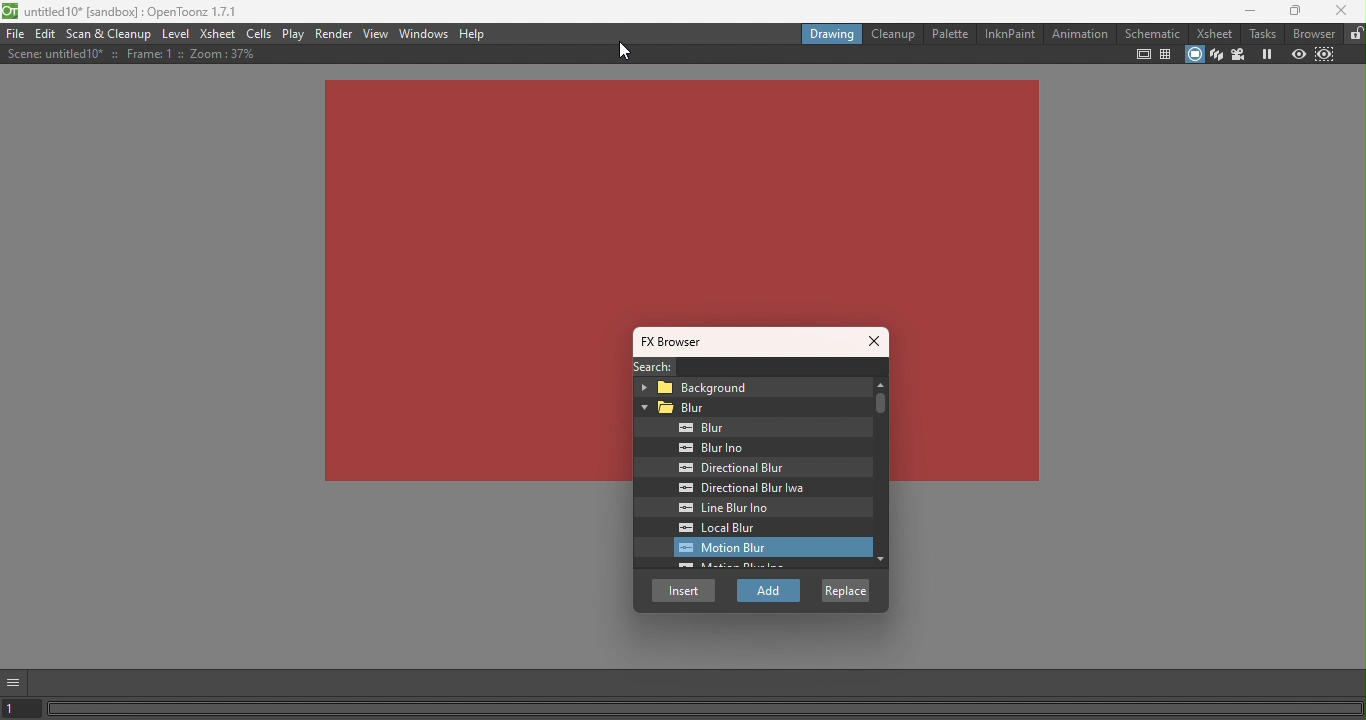  What do you see at coordinates (1010, 33) in the screenshot?
I see `InknPaint` at bounding box center [1010, 33].